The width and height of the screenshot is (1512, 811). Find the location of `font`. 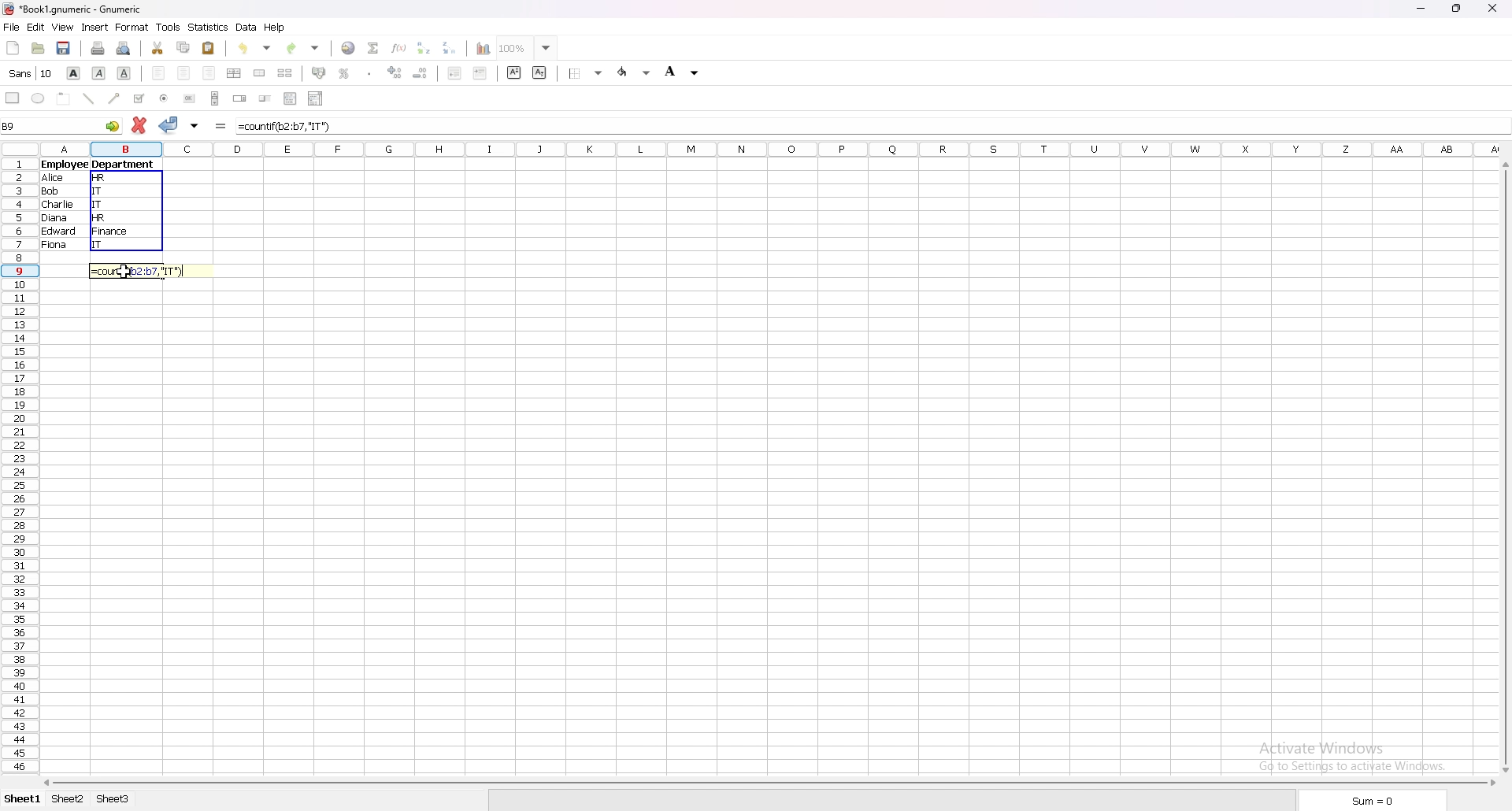

font is located at coordinates (30, 73).